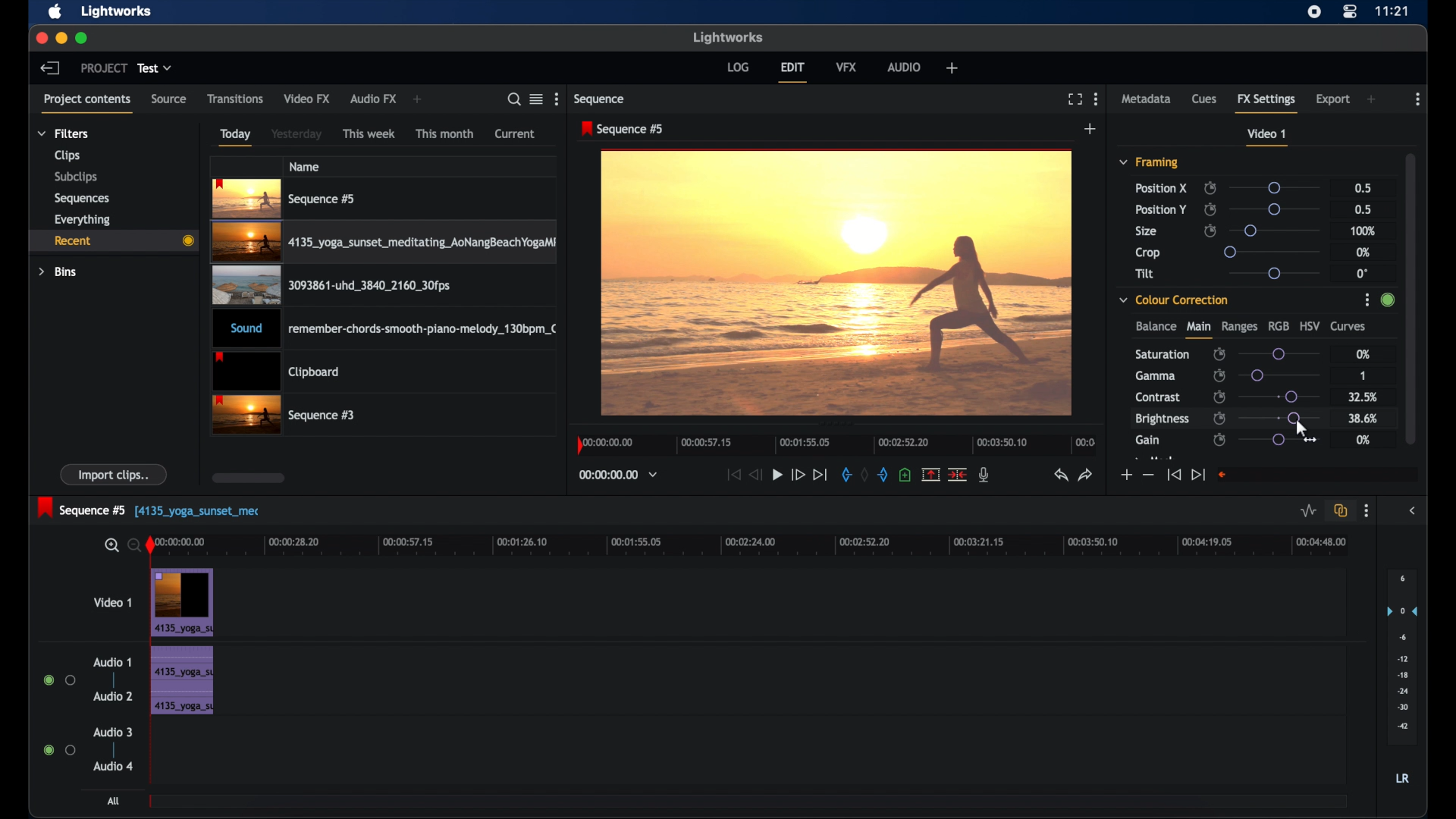  I want to click on source, so click(168, 99).